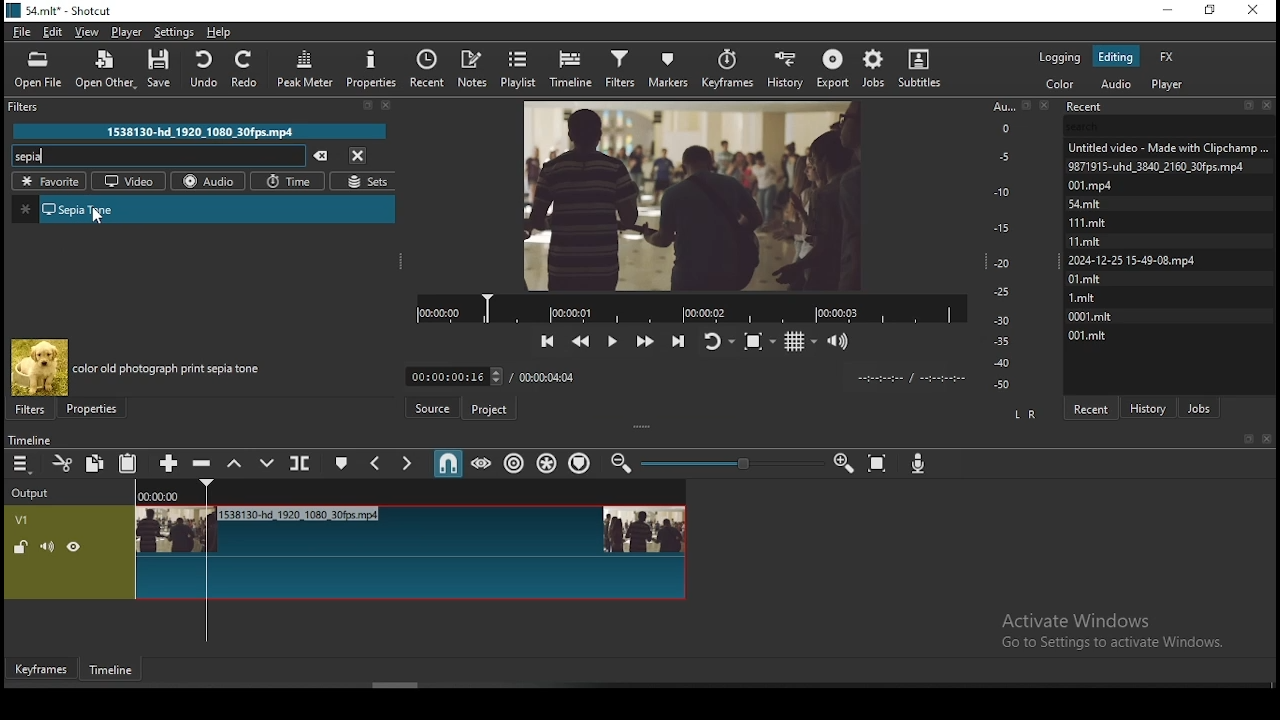  What do you see at coordinates (343, 464) in the screenshot?
I see `create/edit marker` at bounding box center [343, 464].